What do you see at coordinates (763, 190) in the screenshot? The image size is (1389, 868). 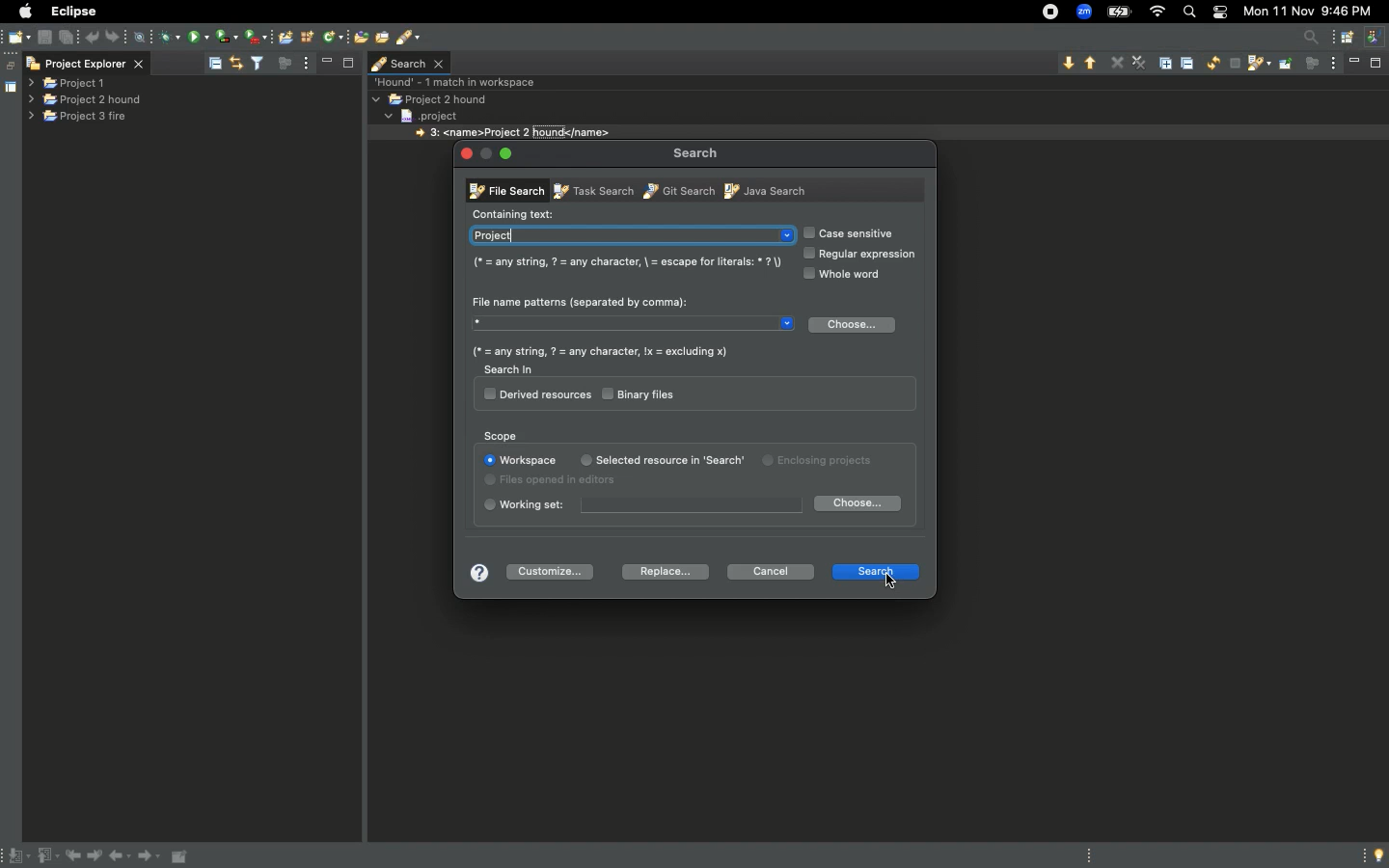 I see `Java search` at bounding box center [763, 190].